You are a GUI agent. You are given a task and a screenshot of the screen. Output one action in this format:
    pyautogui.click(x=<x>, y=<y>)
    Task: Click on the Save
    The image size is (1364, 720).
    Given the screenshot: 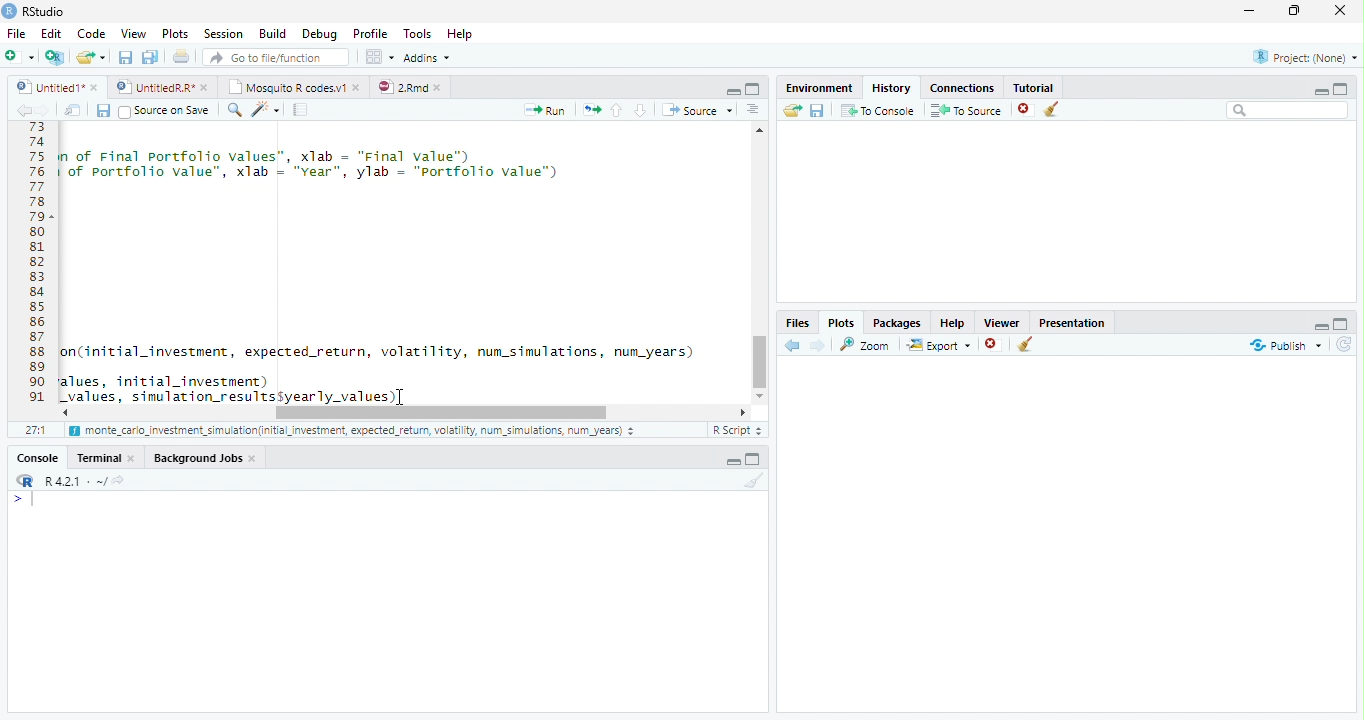 What is the action you would take?
    pyautogui.click(x=817, y=110)
    